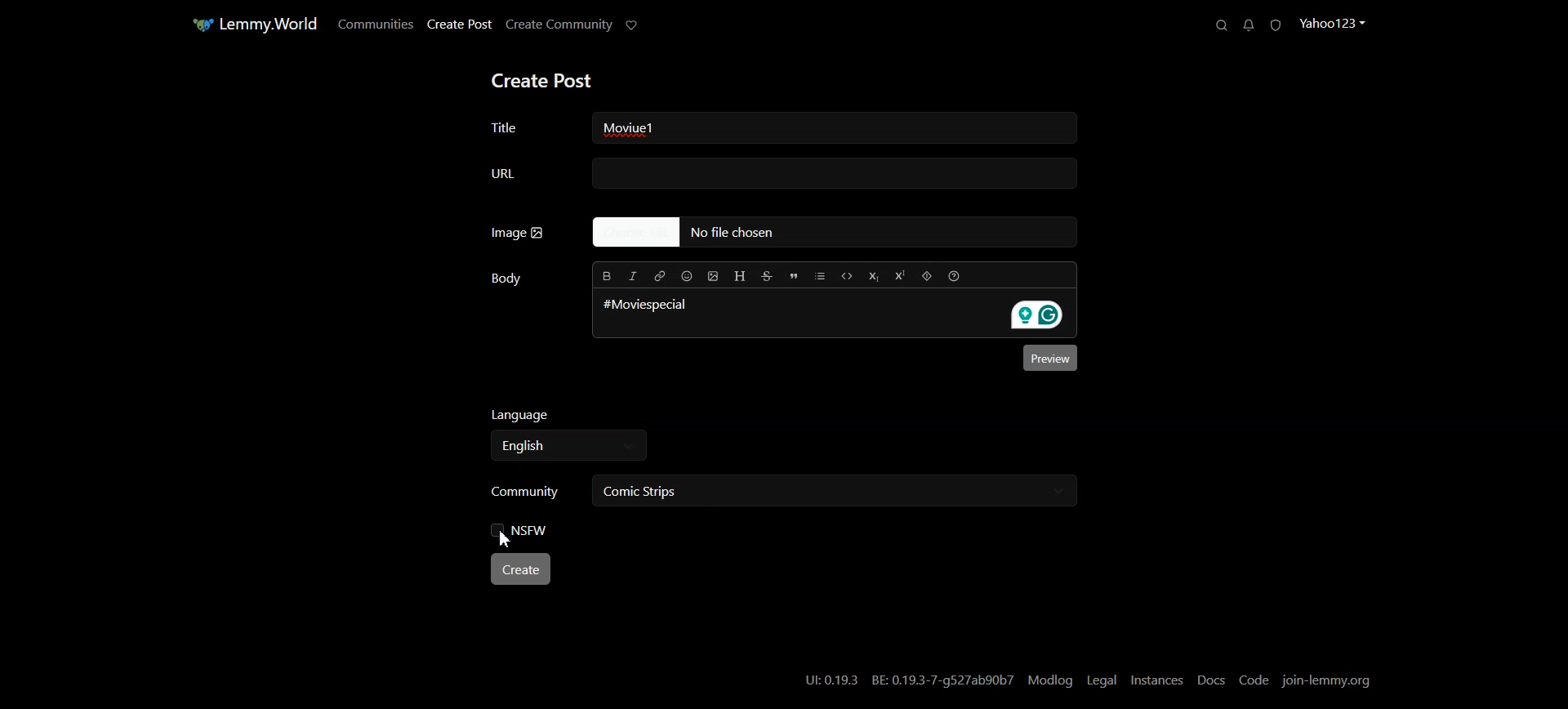  I want to click on Docs, so click(1211, 680).